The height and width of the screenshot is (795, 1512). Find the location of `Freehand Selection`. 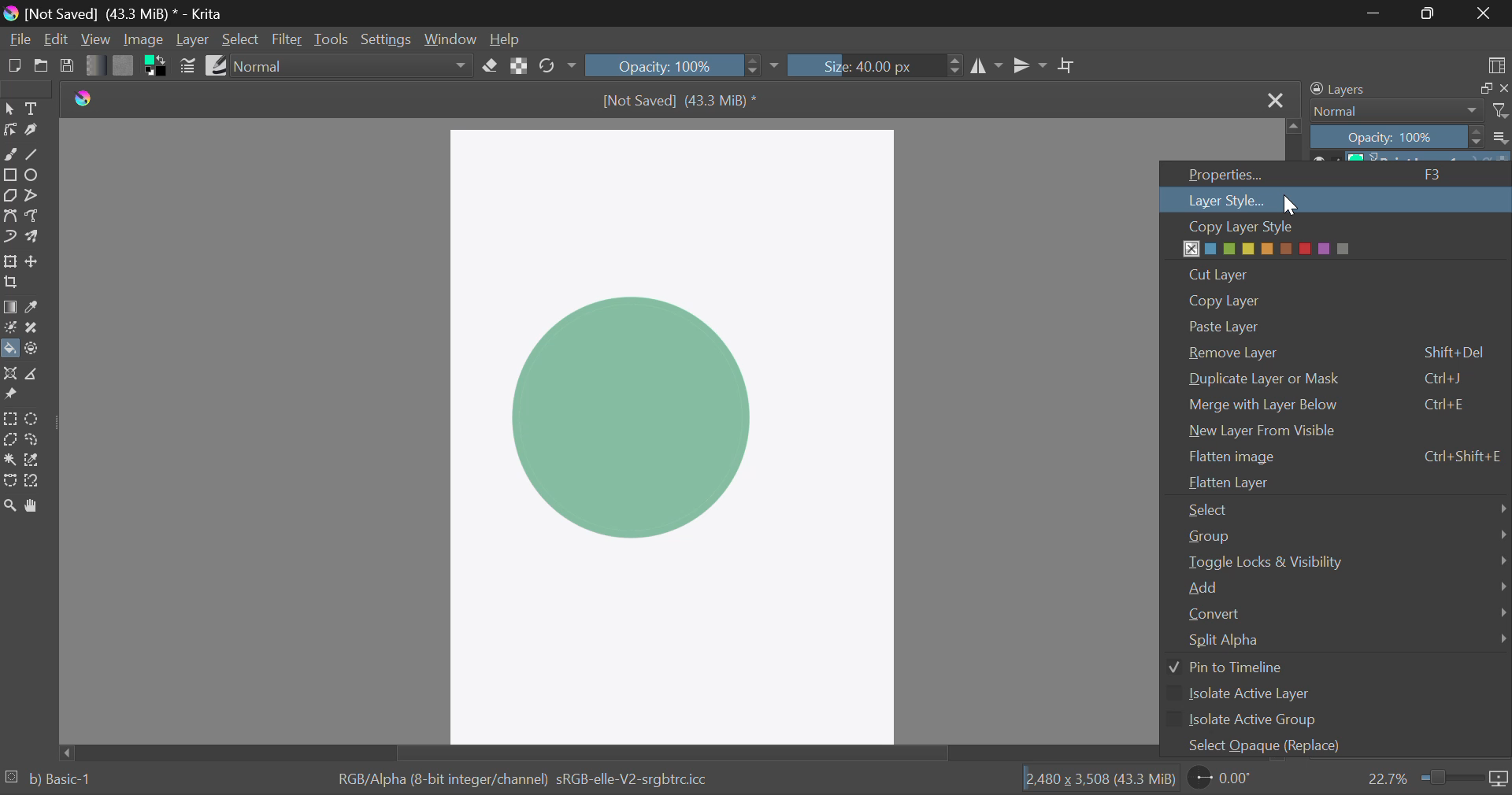

Freehand Selection is located at coordinates (33, 442).